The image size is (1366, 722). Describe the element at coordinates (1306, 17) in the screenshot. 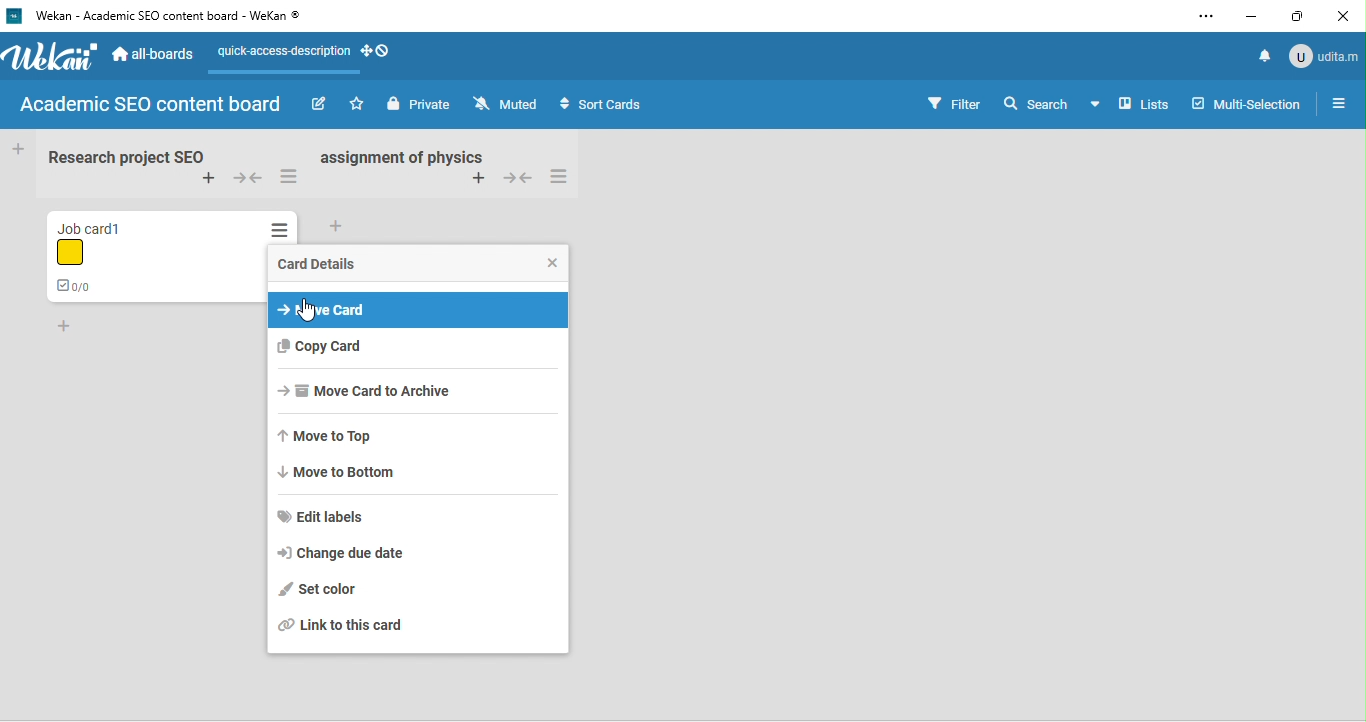

I see `maximize` at that location.